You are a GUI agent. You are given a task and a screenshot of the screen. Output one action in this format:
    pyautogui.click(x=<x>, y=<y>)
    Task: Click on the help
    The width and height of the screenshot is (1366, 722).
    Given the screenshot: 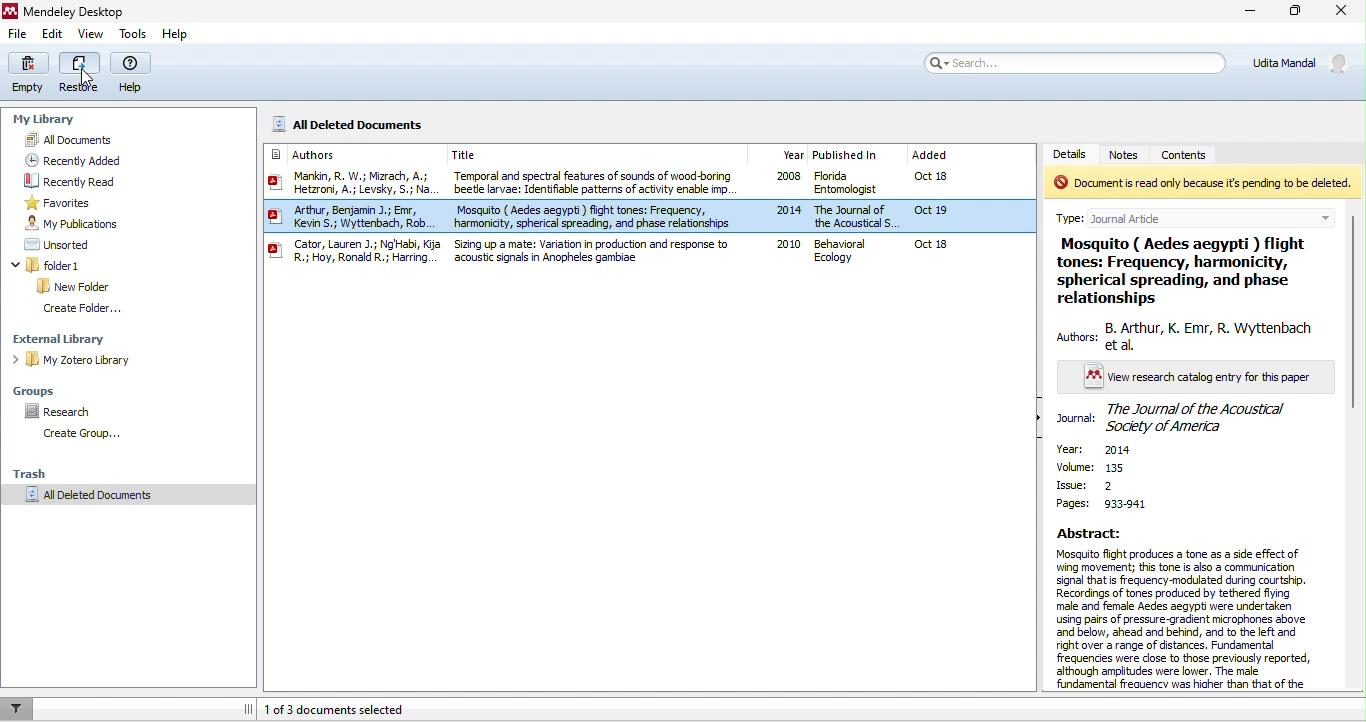 What is the action you would take?
    pyautogui.click(x=176, y=35)
    